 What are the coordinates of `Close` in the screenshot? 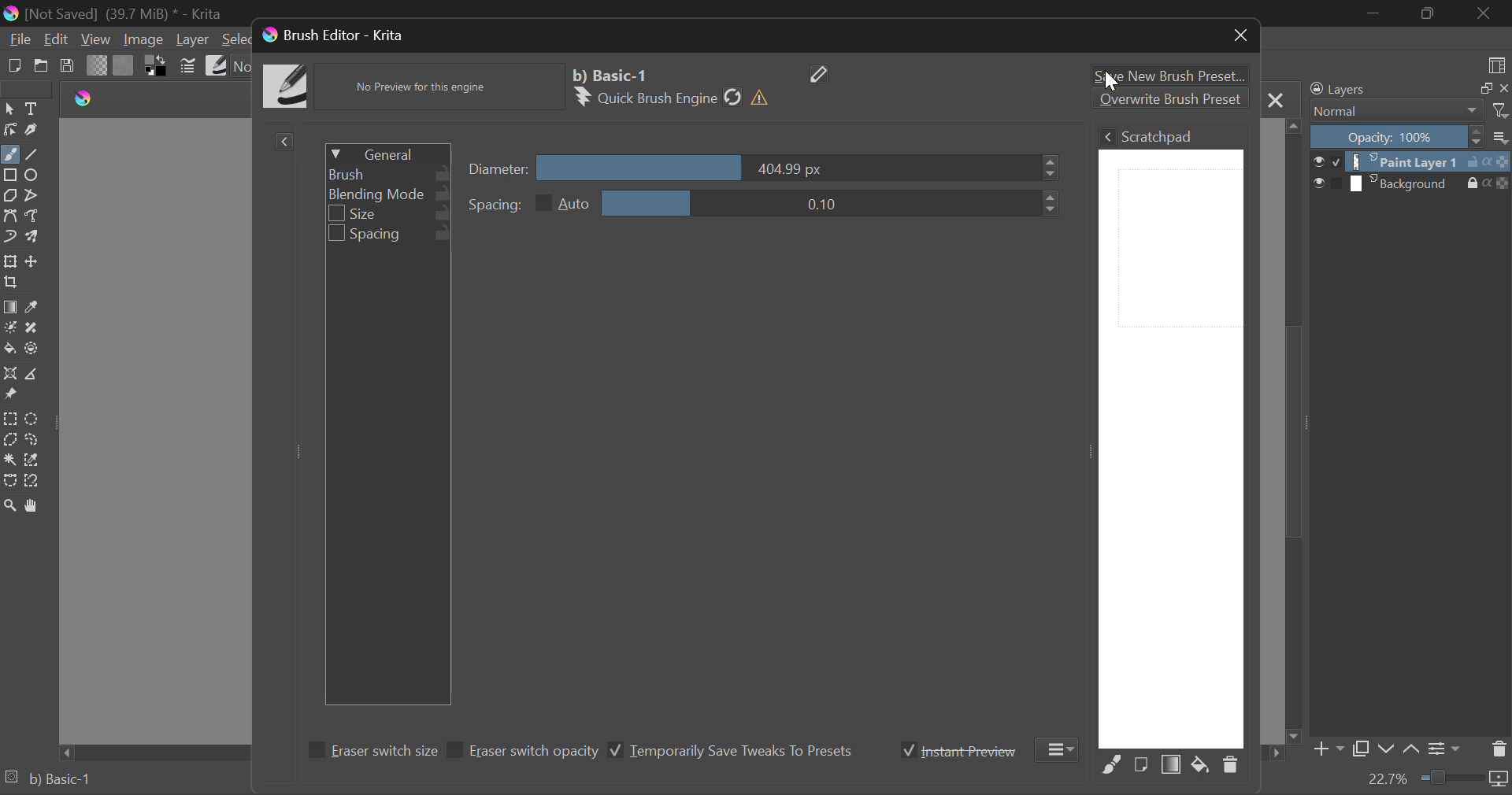 It's located at (1241, 38).